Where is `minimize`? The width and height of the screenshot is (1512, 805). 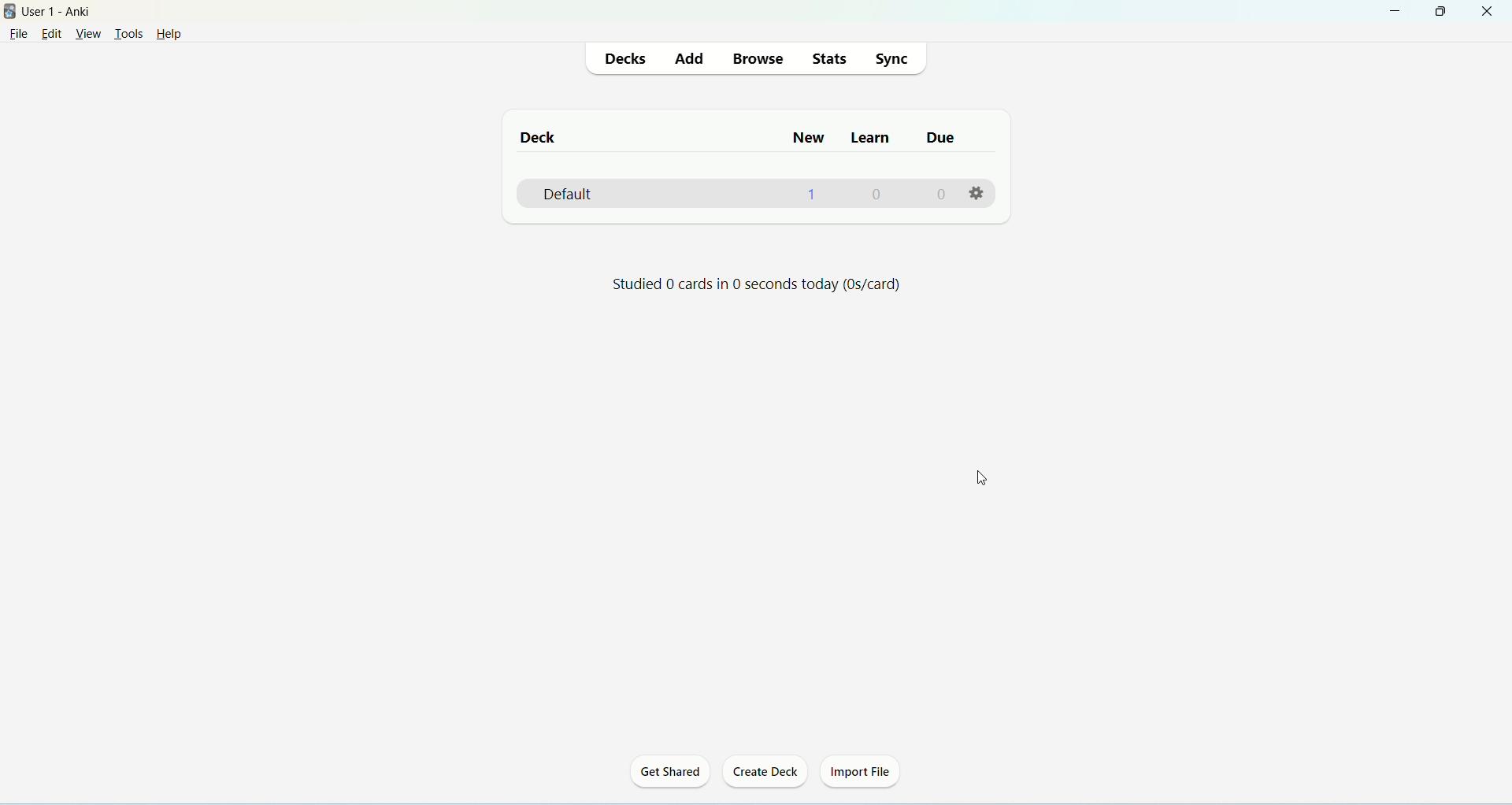
minimize is located at coordinates (1395, 12).